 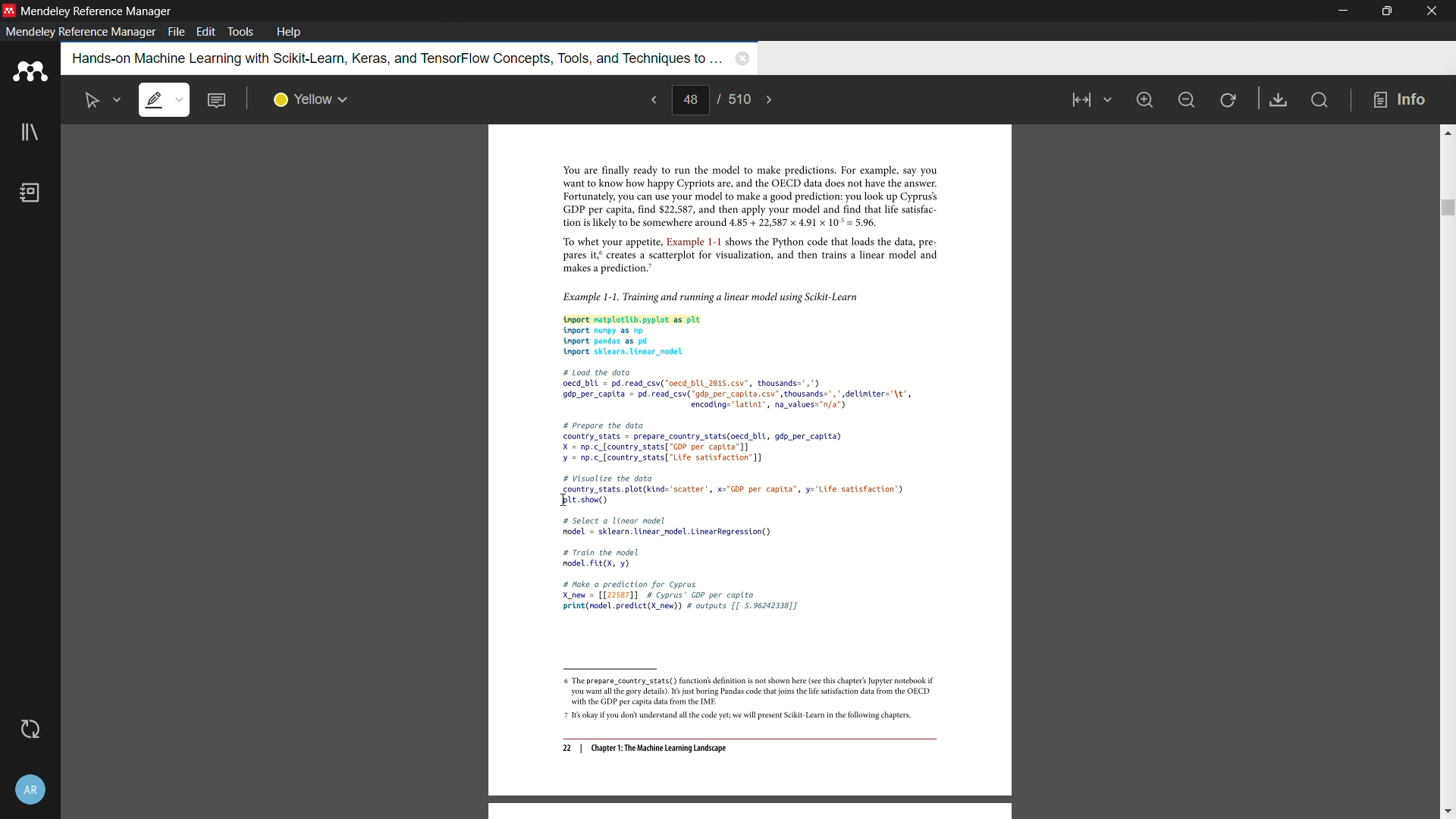 I want to click on info, so click(x=1400, y=101).